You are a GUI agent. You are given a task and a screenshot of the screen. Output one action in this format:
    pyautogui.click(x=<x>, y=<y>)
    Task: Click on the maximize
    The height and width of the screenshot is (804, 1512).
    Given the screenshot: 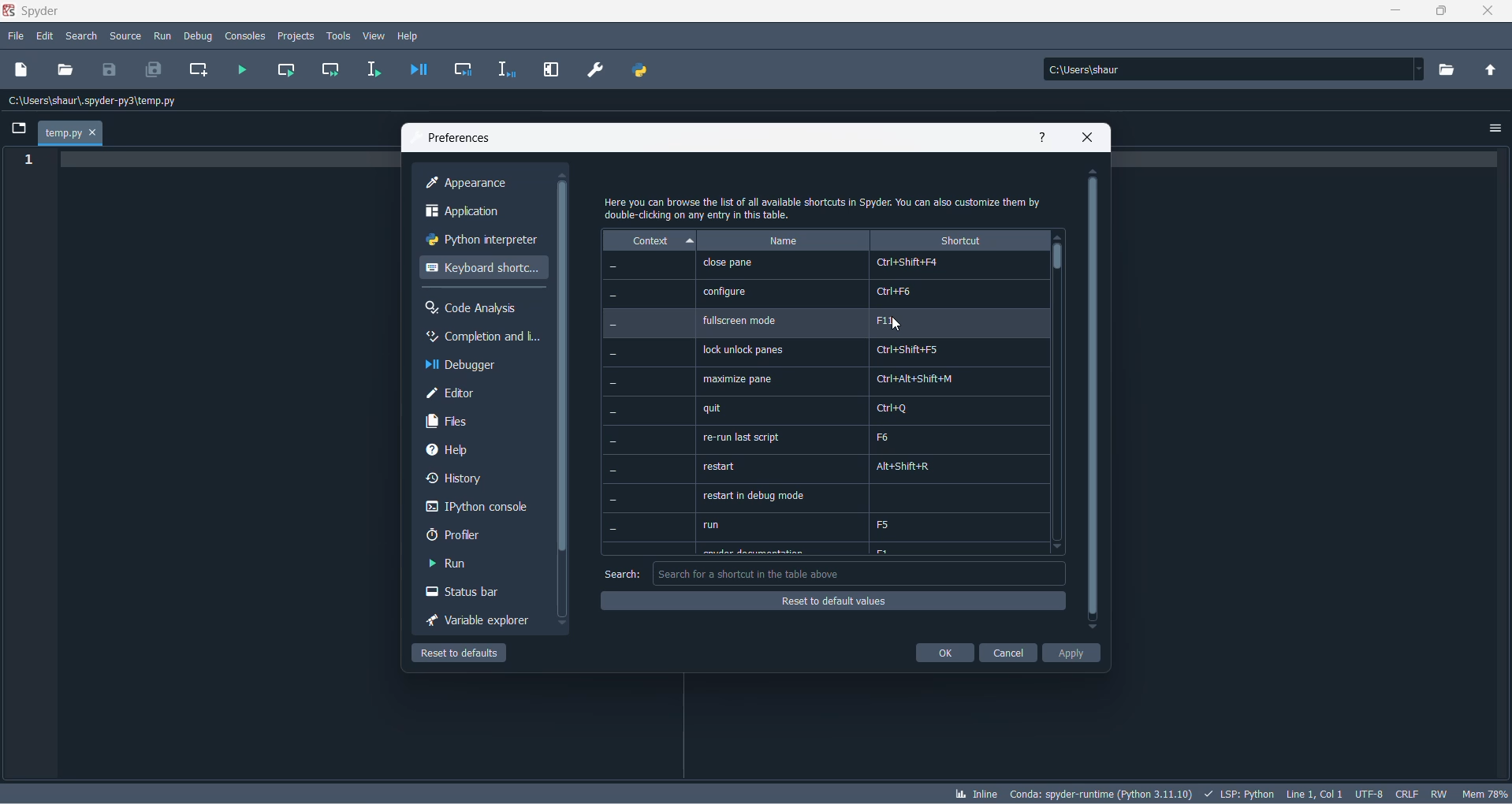 What is the action you would take?
    pyautogui.click(x=1443, y=12)
    